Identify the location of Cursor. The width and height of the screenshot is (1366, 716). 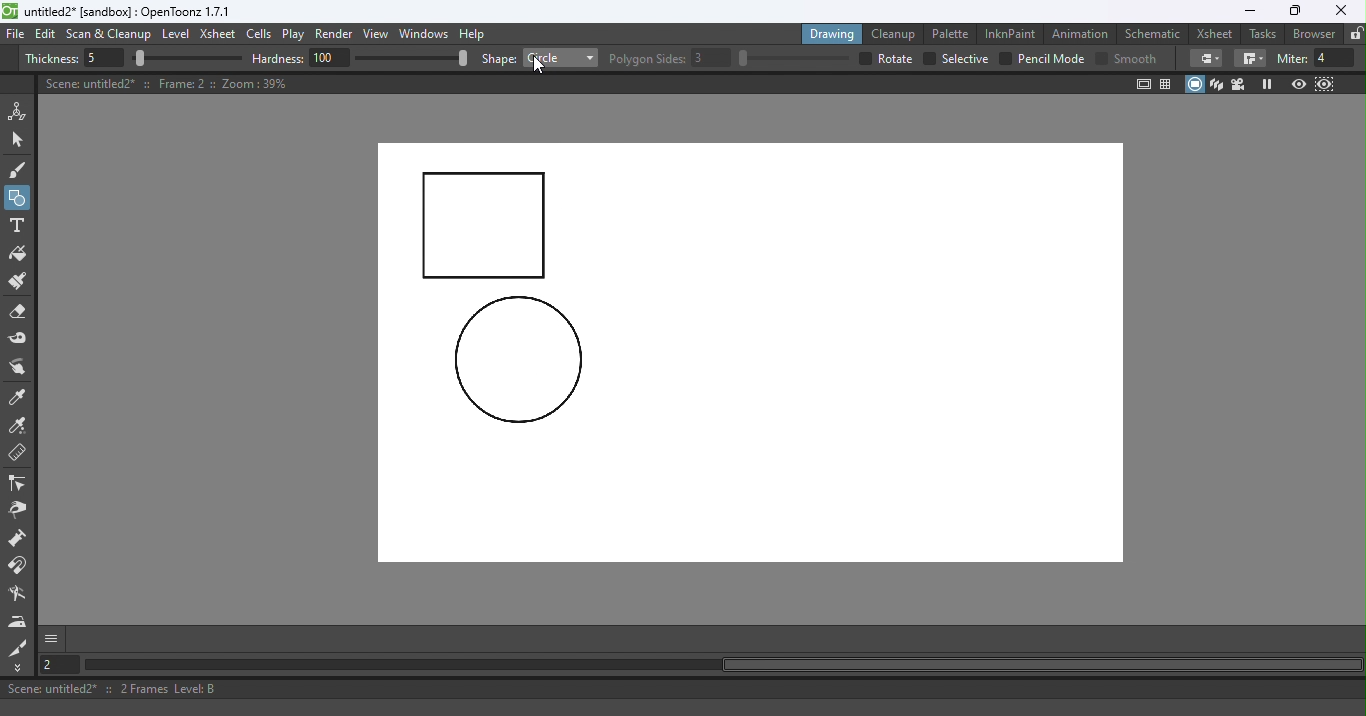
(542, 69).